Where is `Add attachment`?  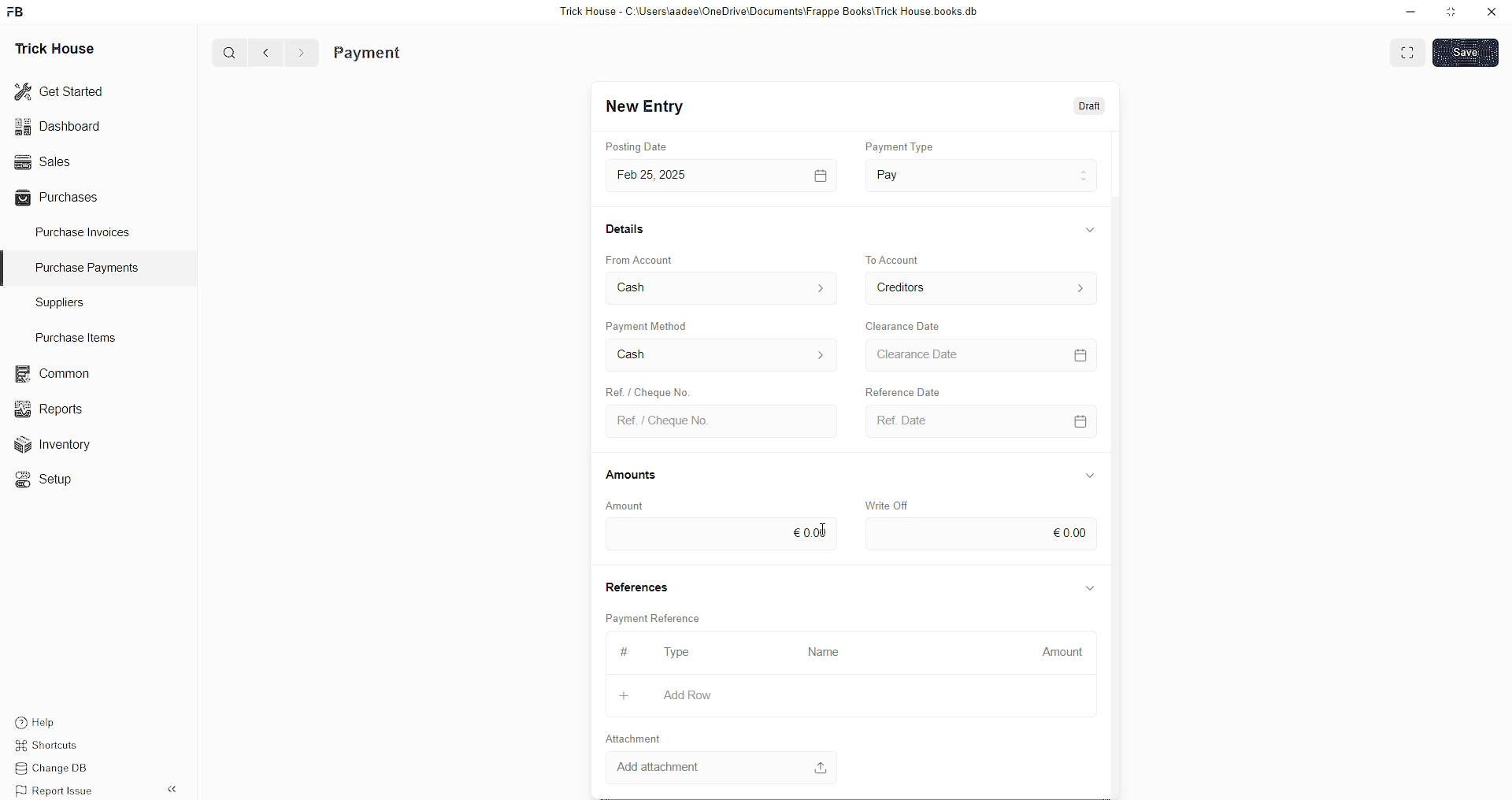 Add attachment is located at coordinates (722, 767).